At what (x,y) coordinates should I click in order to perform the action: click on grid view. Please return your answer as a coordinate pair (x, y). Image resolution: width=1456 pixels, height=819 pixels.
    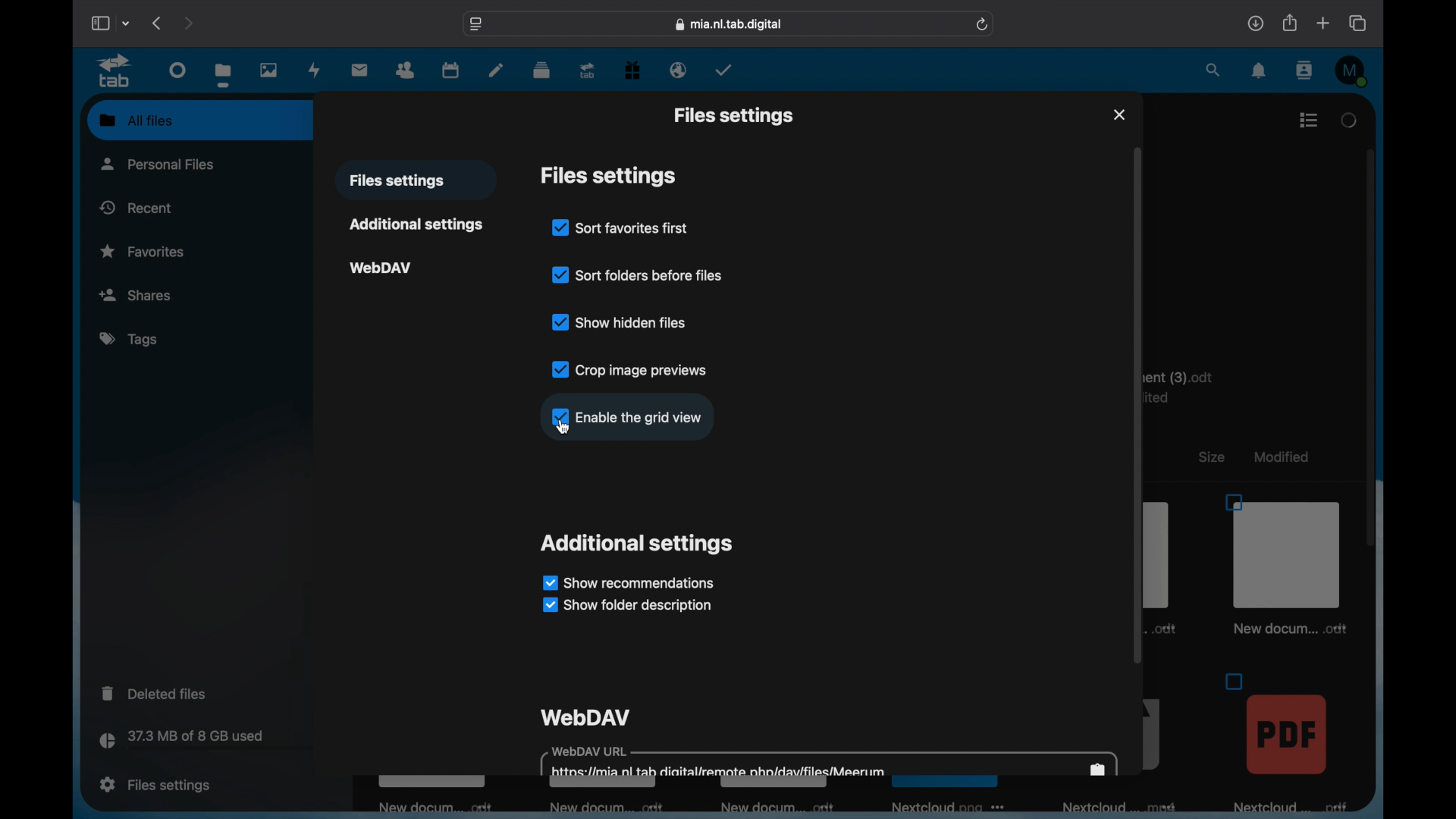
    Looking at the image, I should click on (1309, 120).